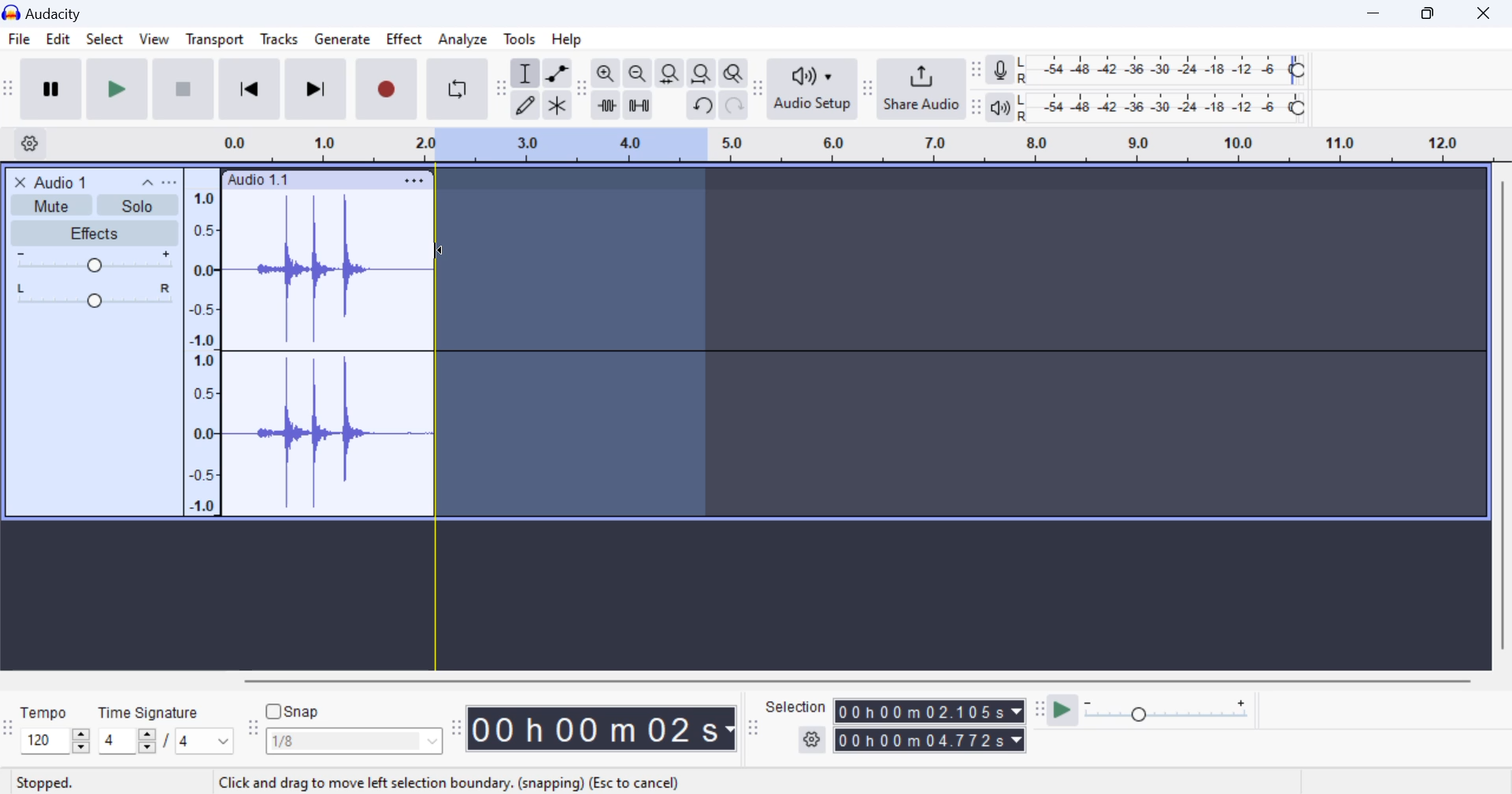 This screenshot has height=794, width=1512. I want to click on Record, so click(384, 90).